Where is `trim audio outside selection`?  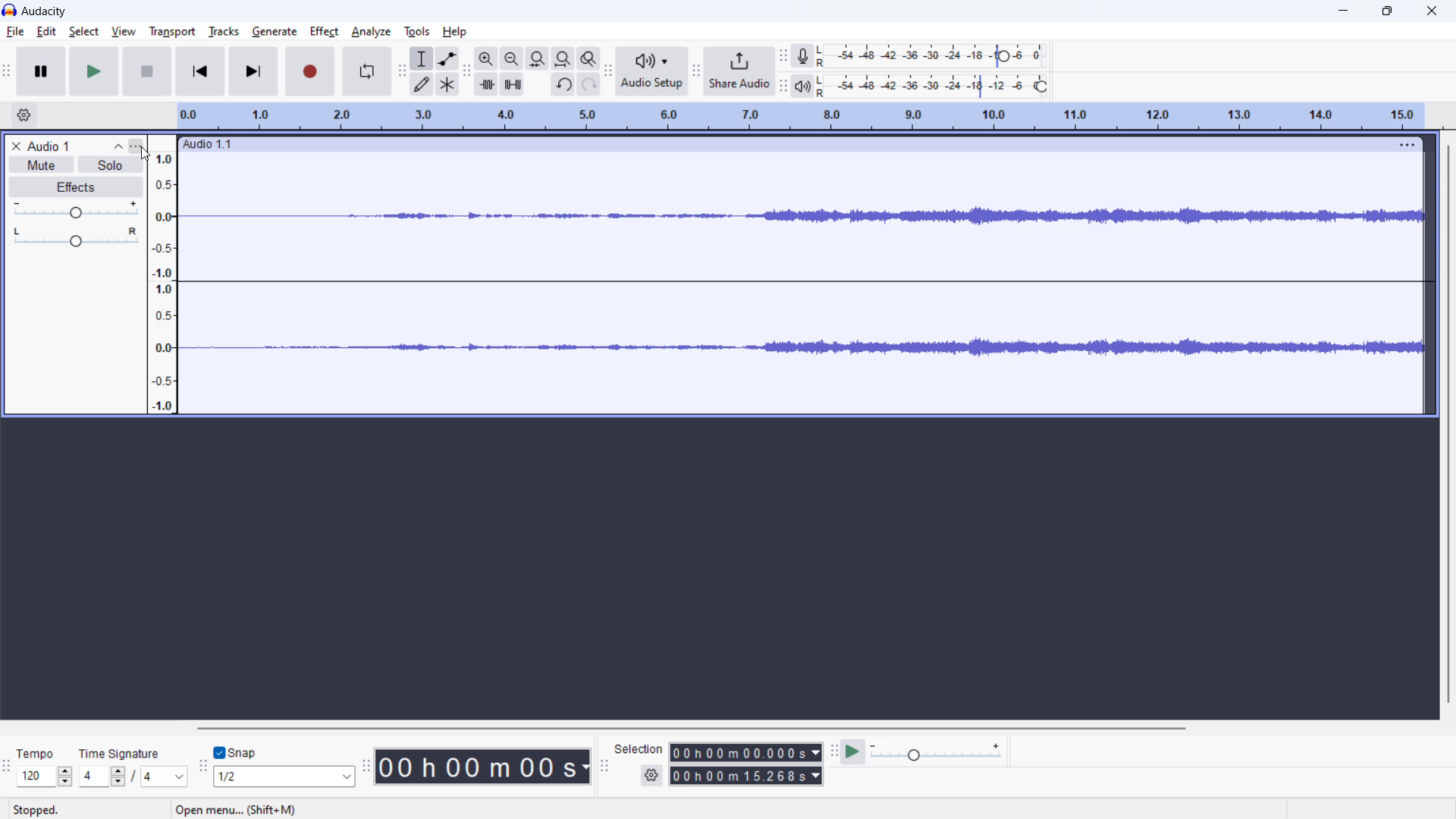
trim audio outside selection is located at coordinates (485, 83).